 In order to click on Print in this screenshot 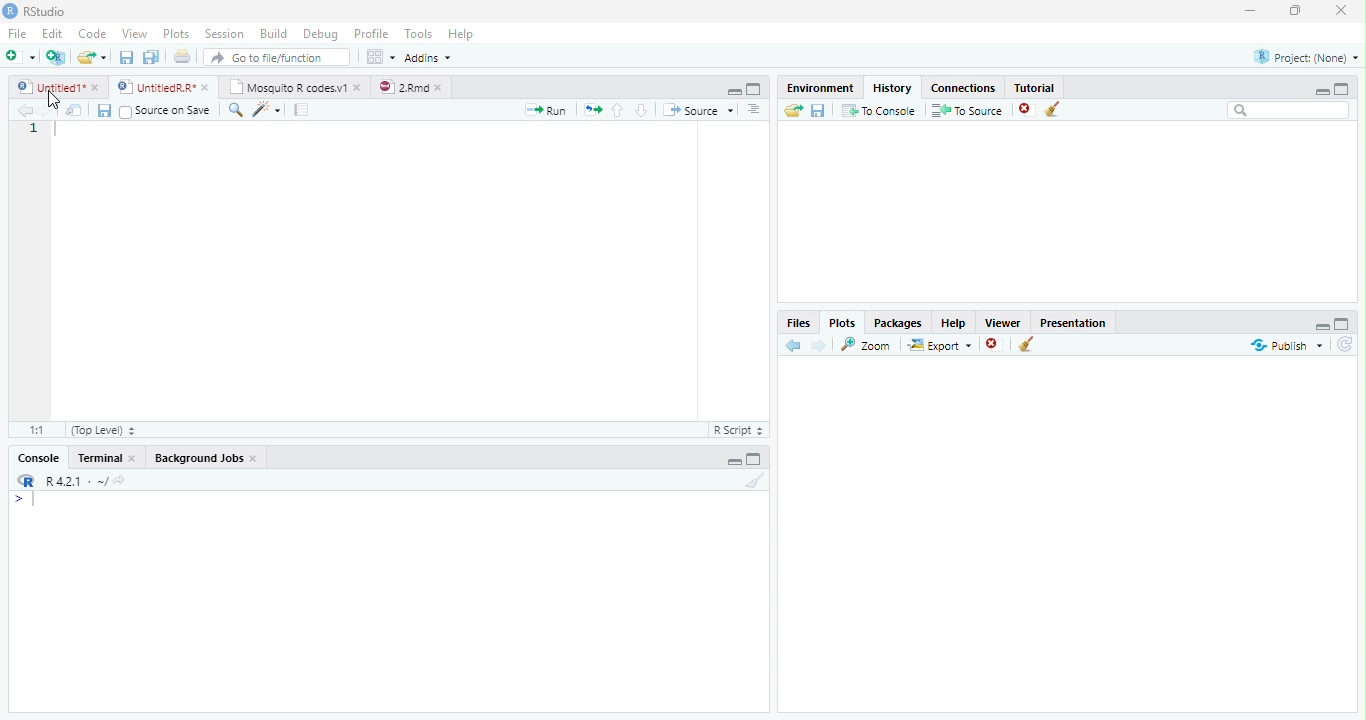, I will do `click(182, 56)`.